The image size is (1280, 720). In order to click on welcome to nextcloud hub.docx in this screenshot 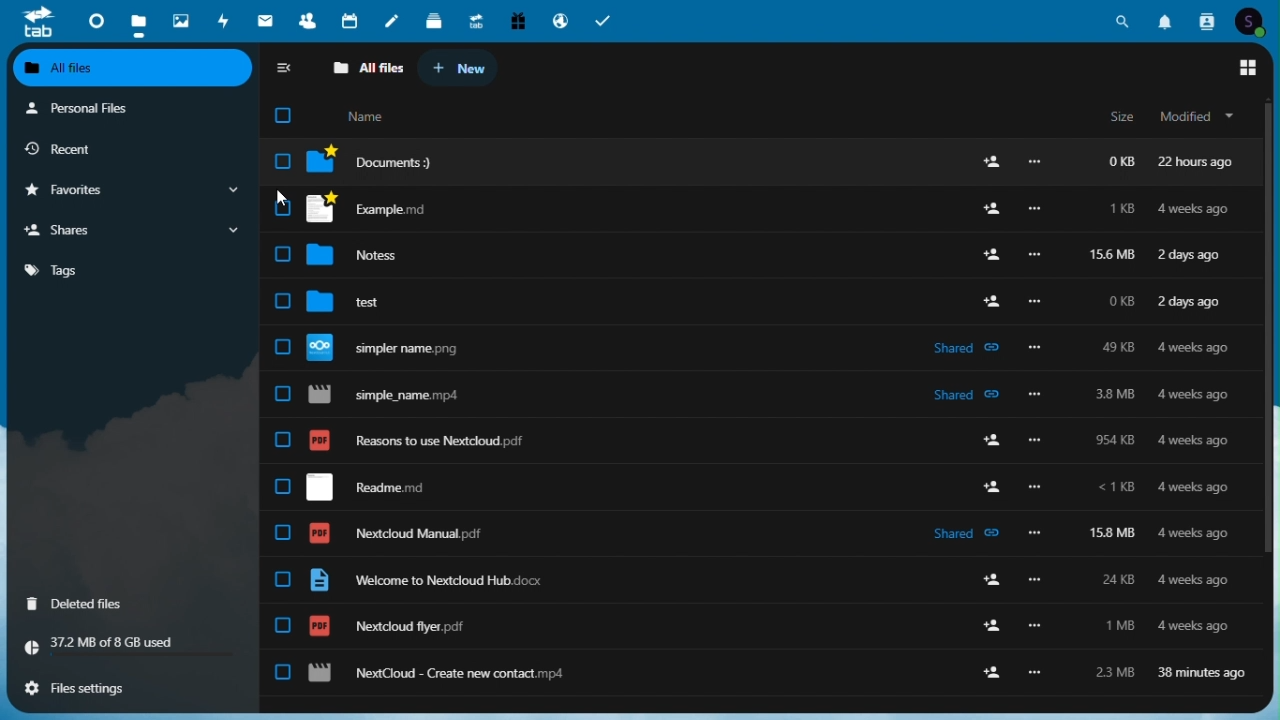, I will do `click(436, 580)`.